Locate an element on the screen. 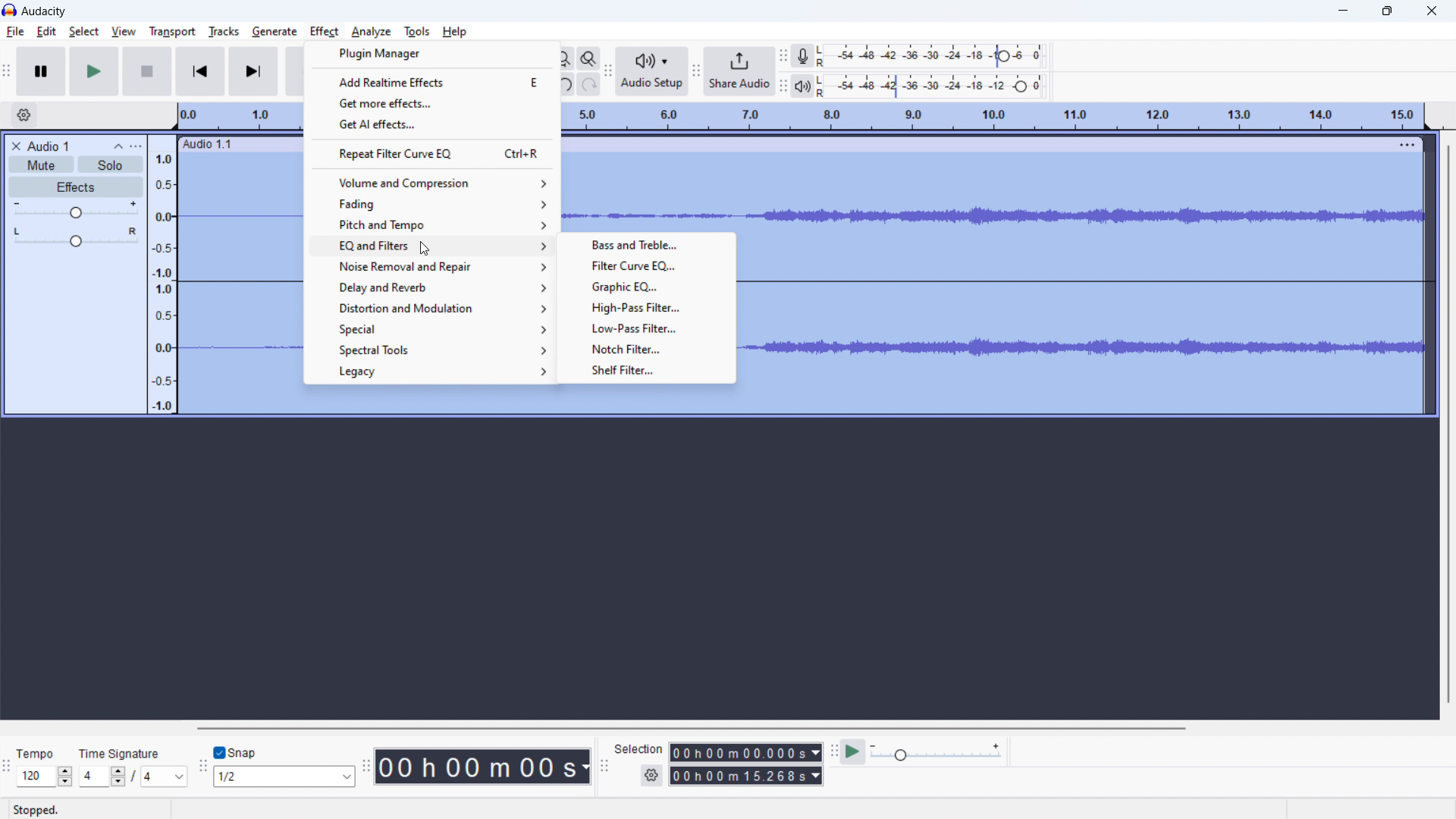  recording meter toolbar is located at coordinates (784, 56).